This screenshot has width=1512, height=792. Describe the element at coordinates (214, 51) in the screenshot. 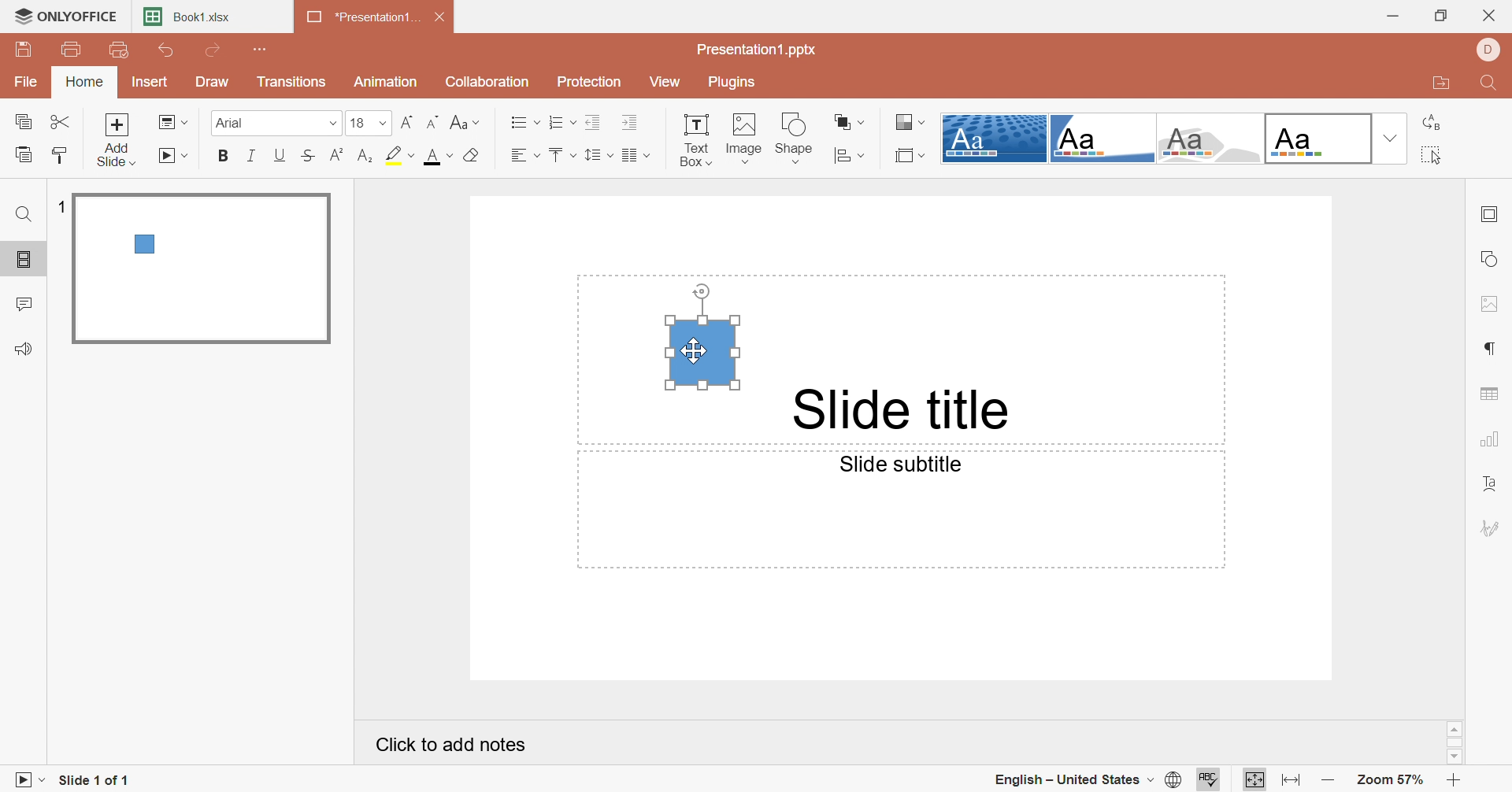

I see `Redo` at that location.